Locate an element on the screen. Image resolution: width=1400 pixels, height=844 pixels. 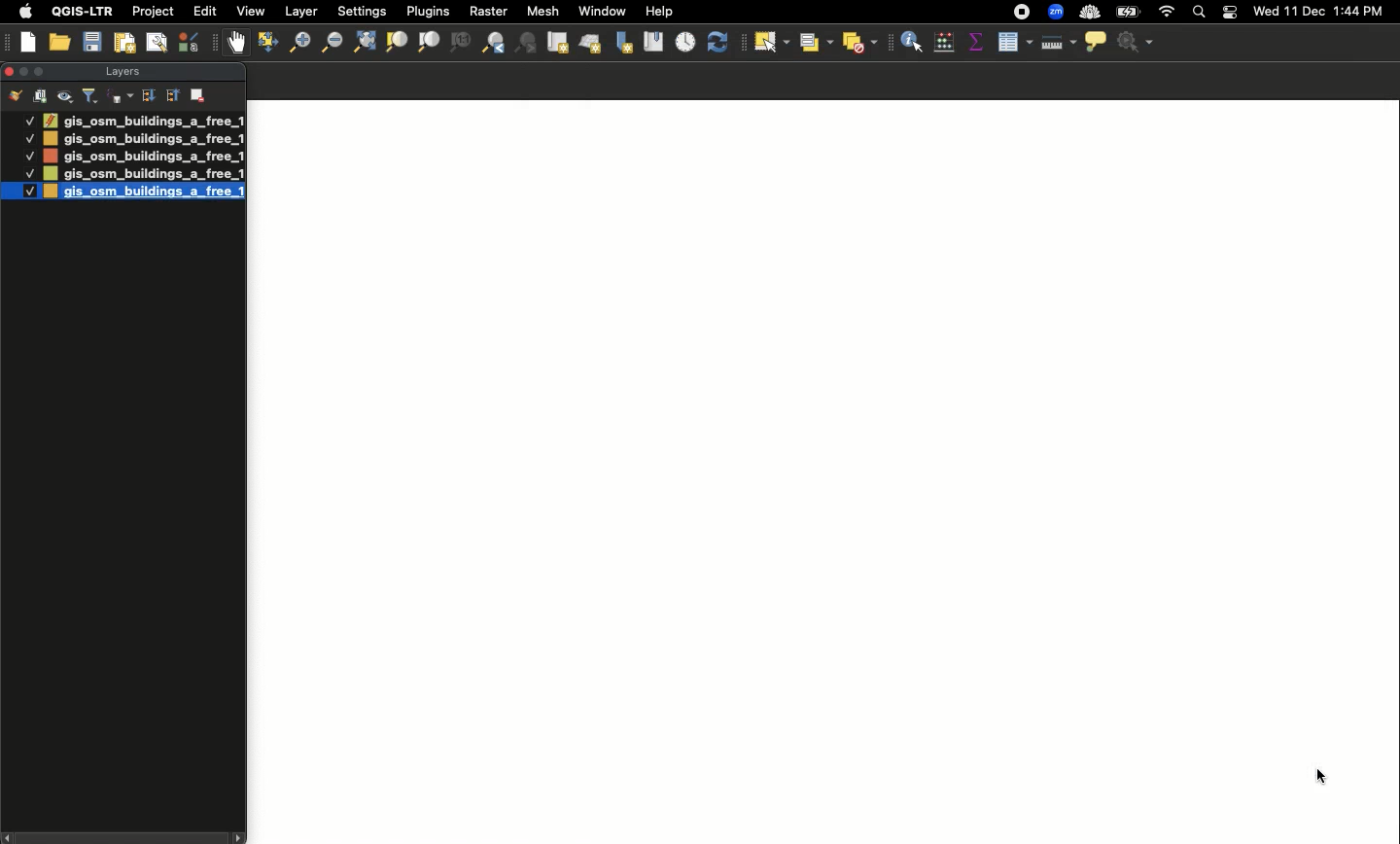
Zoom to selection is located at coordinates (397, 43).